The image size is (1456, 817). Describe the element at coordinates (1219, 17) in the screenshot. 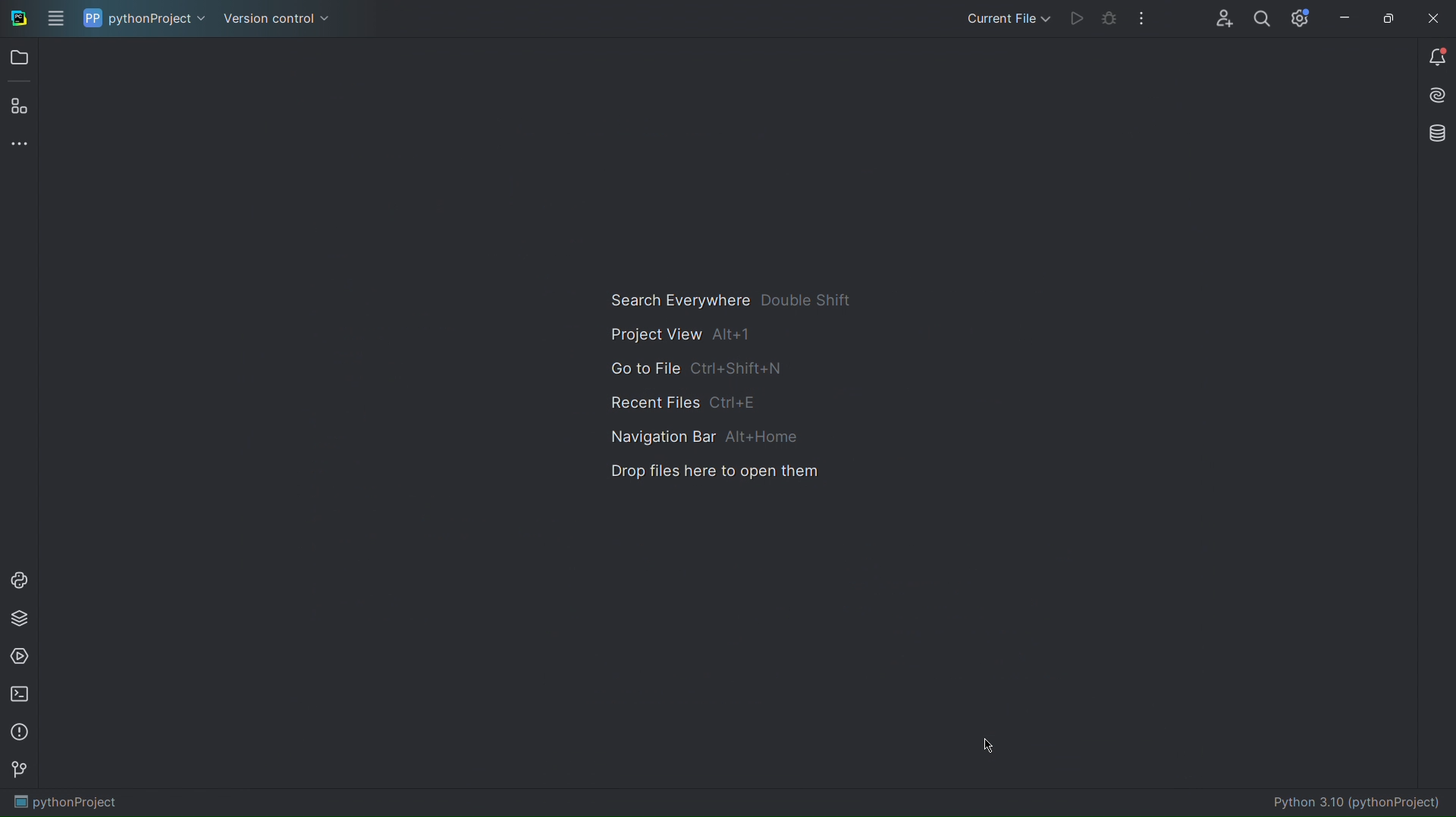

I see `Account` at that location.